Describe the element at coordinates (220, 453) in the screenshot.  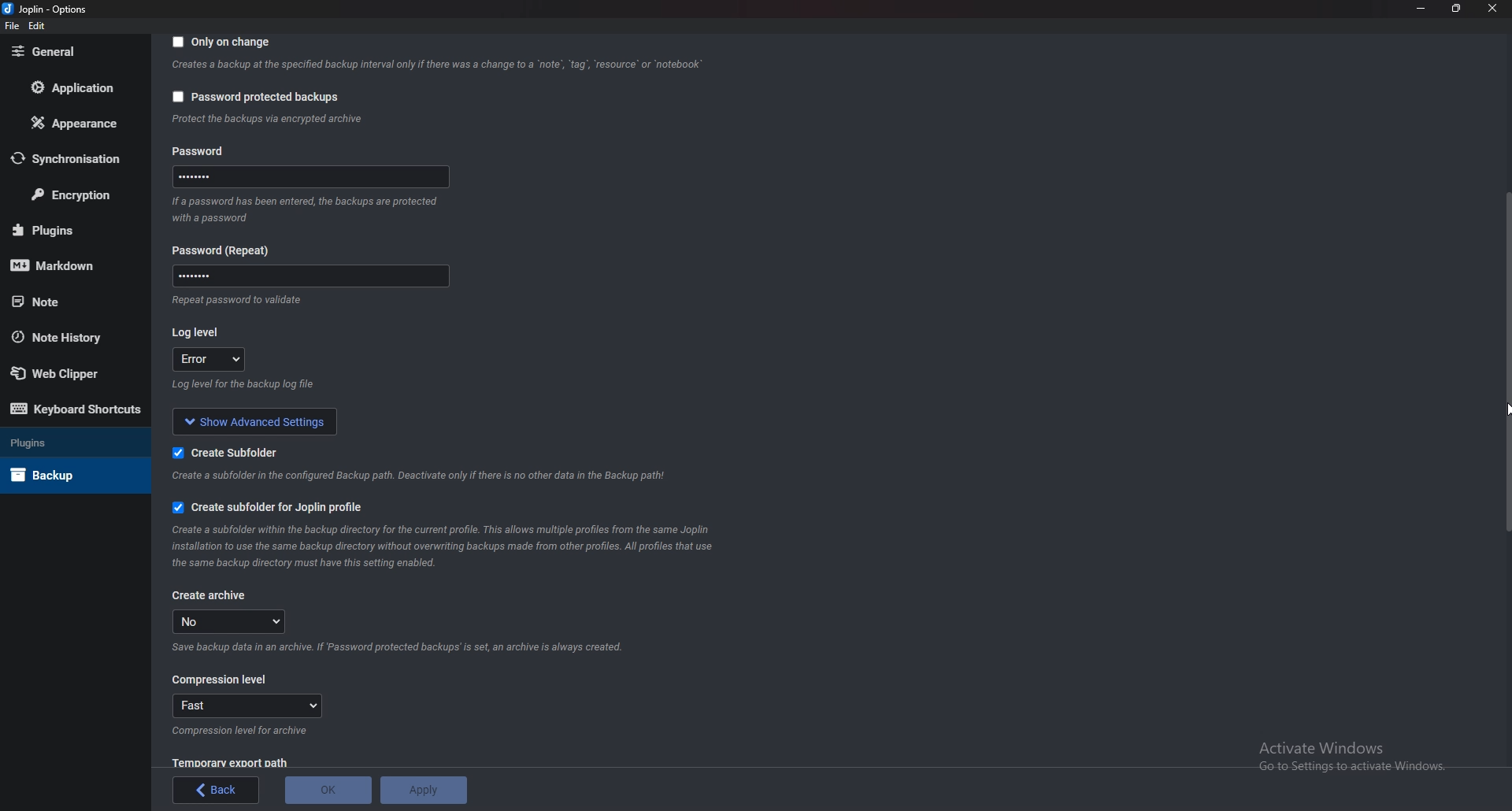
I see `create sub folder` at that location.